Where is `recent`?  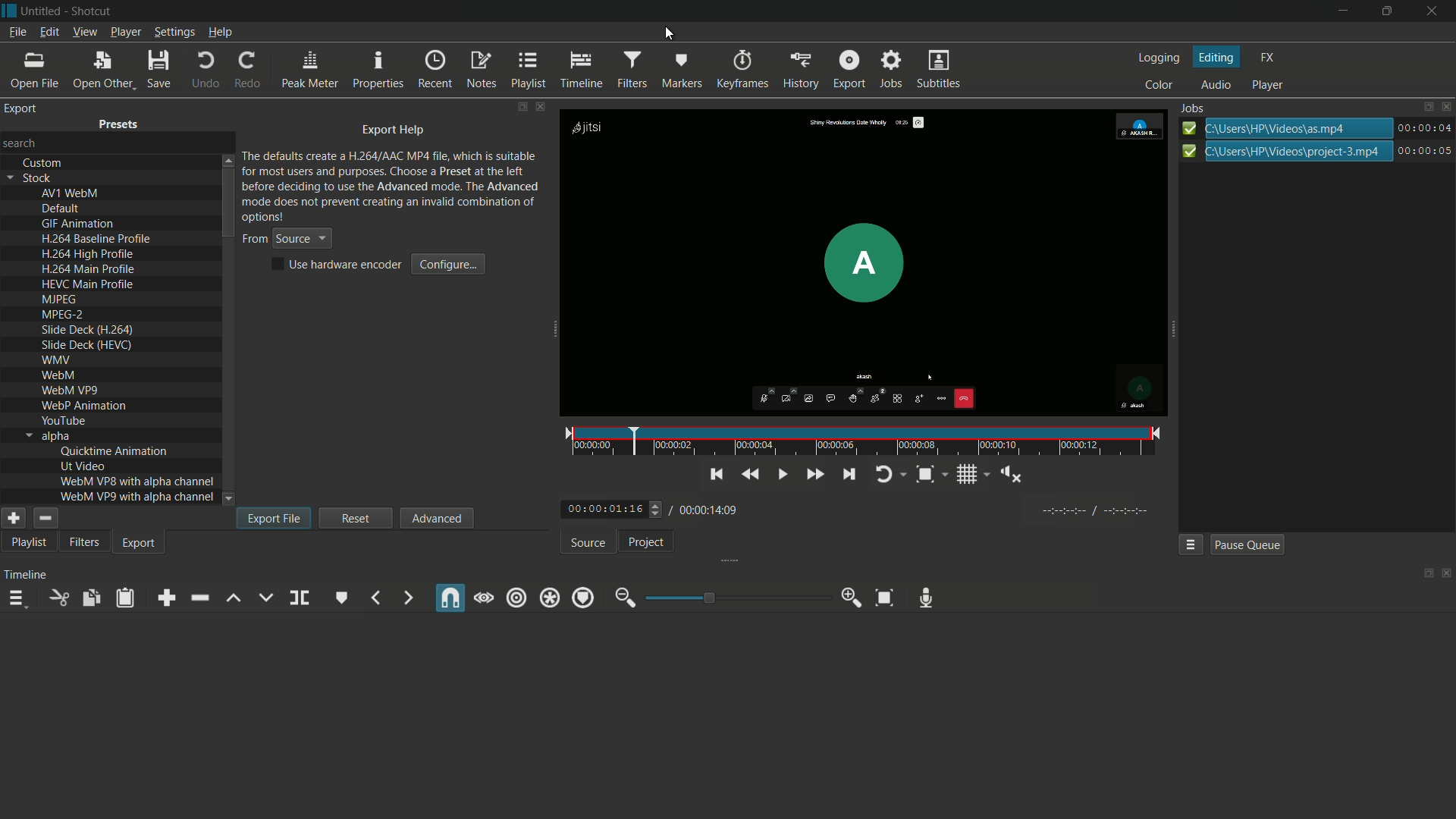 recent is located at coordinates (435, 69).